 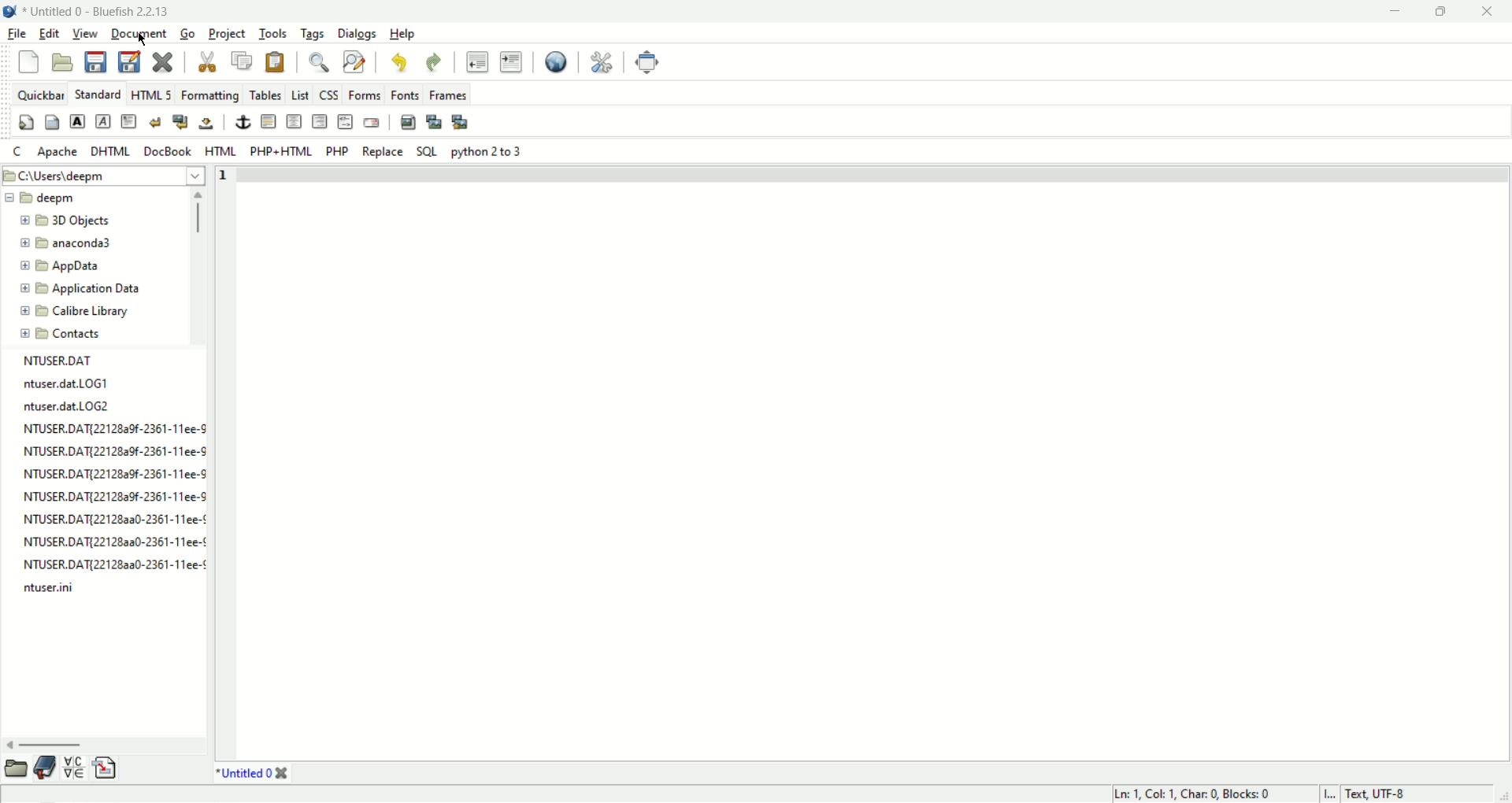 What do you see at coordinates (199, 268) in the screenshot?
I see `scroll bar` at bounding box center [199, 268].